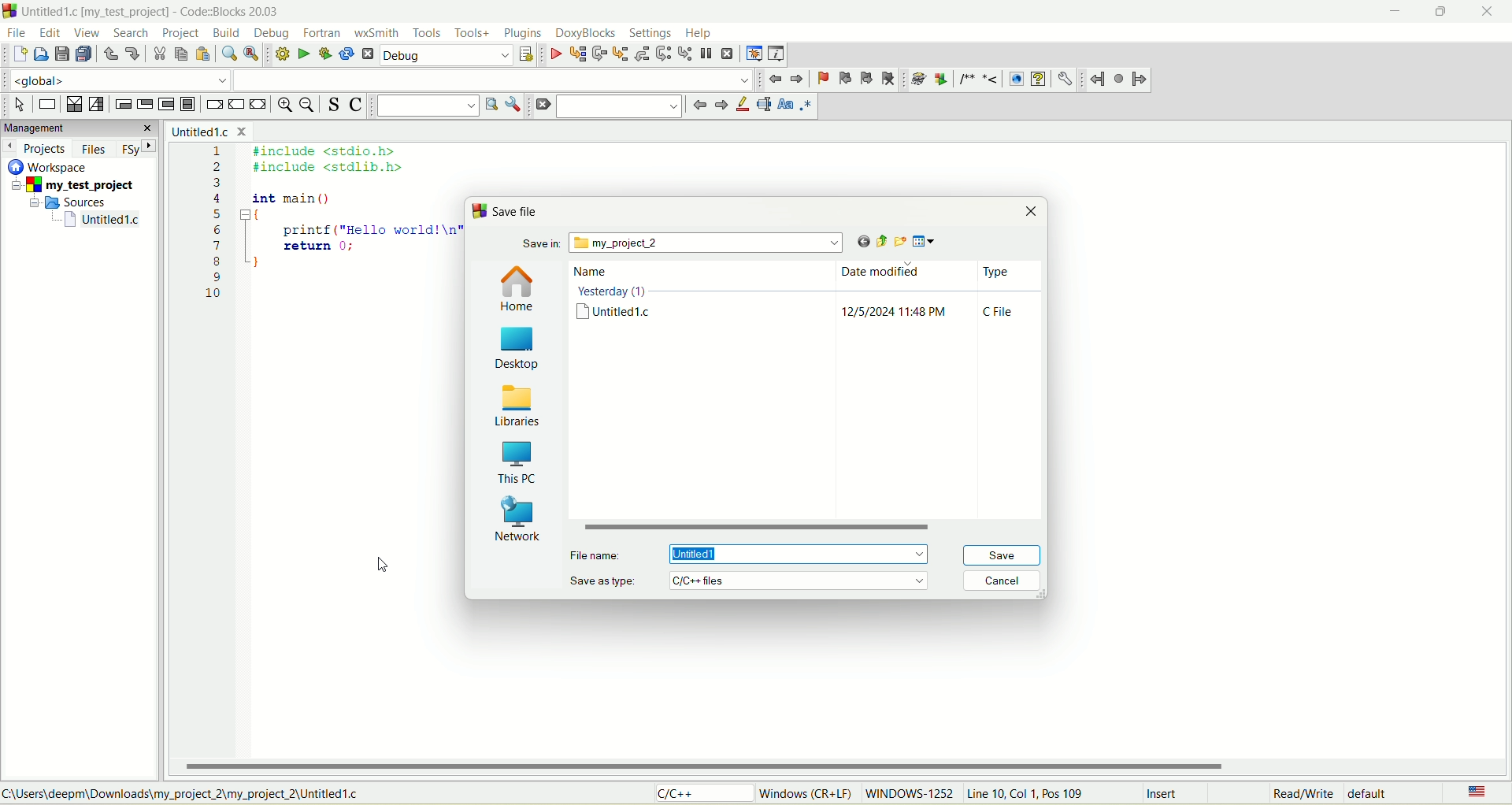 The image size is (1512, 805). What do you see at coordinates (521, 347) in the screenshot?
I see `desktop` at bounding box center [521, 347].